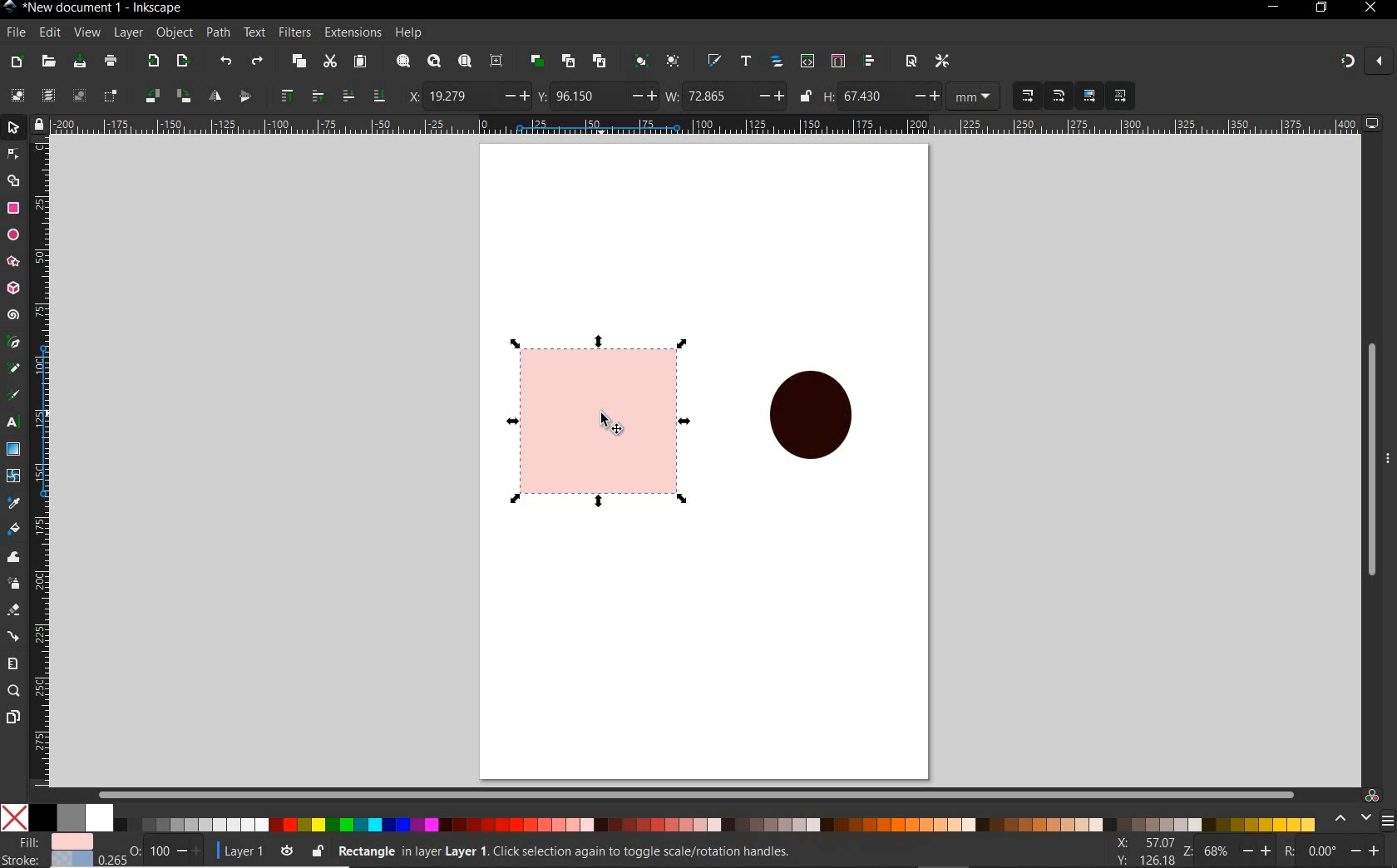 This screenshot has width=1397, height=868. Describe the element at coordinates (316, 94) in the screenshot. I see `raise` at that location.